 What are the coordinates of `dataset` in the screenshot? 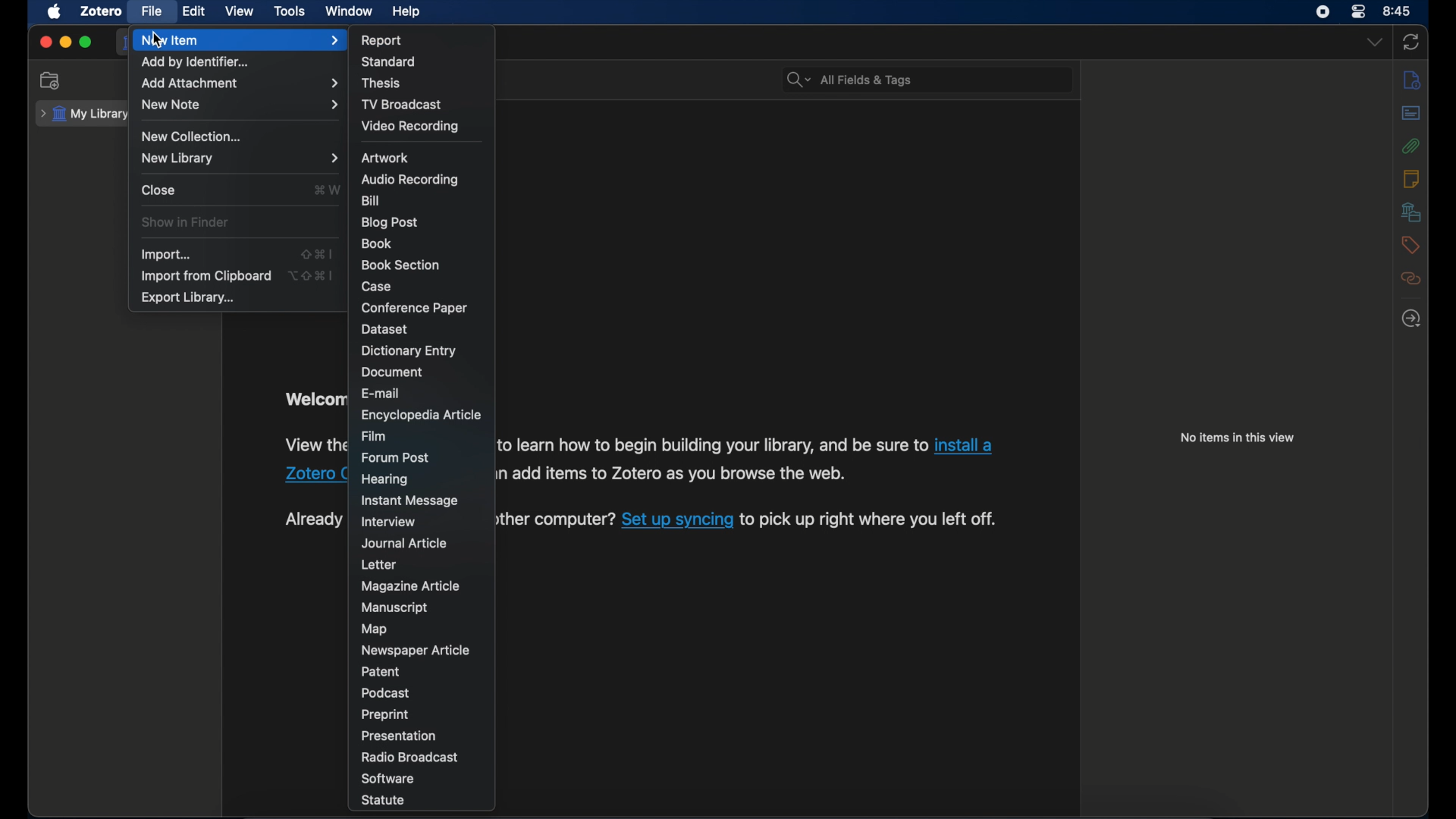 It's located at (386, 329).